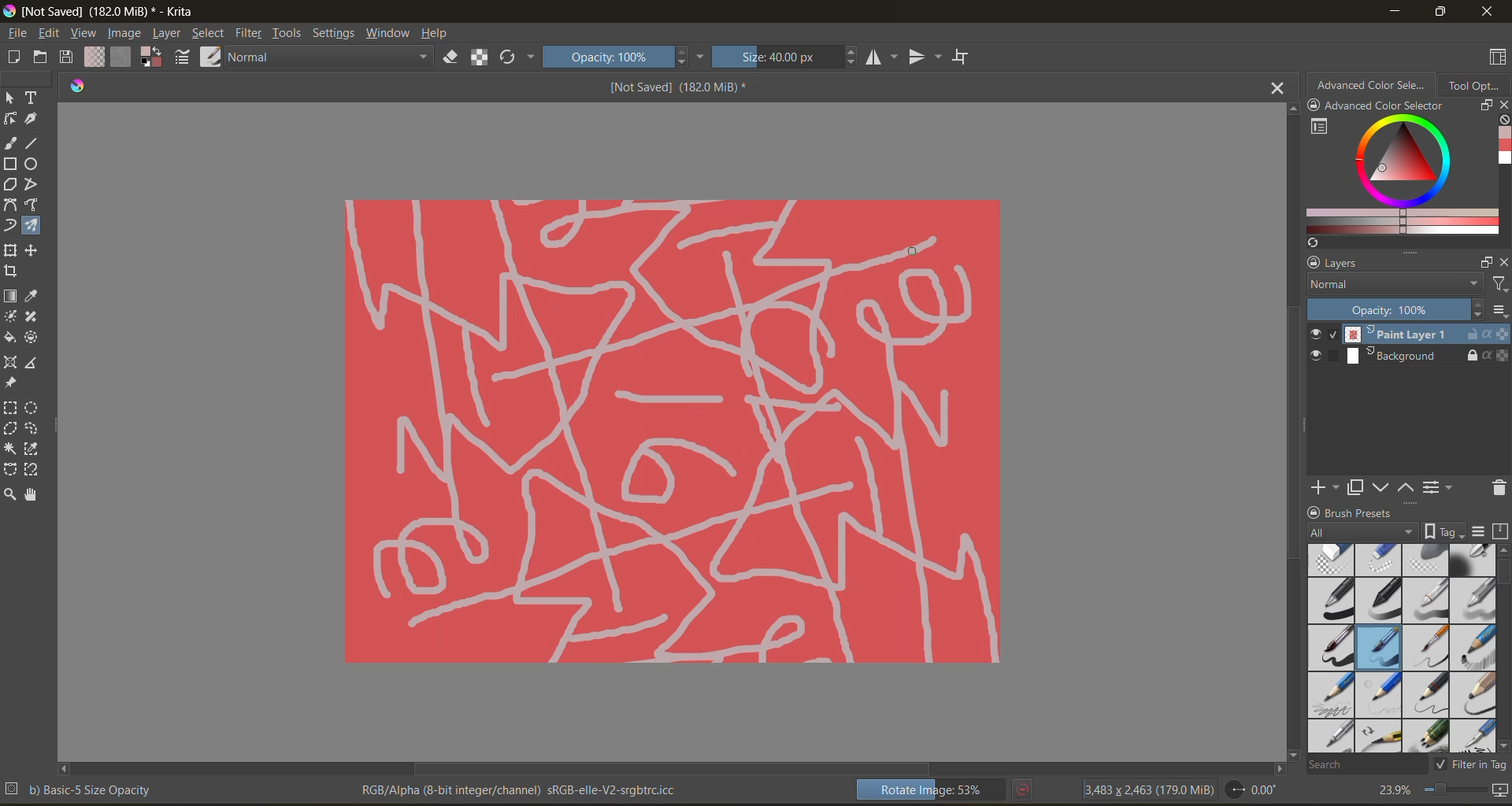 The width and height of the screenshot is (1512, 806). I want to click on help, so click(443, 35).